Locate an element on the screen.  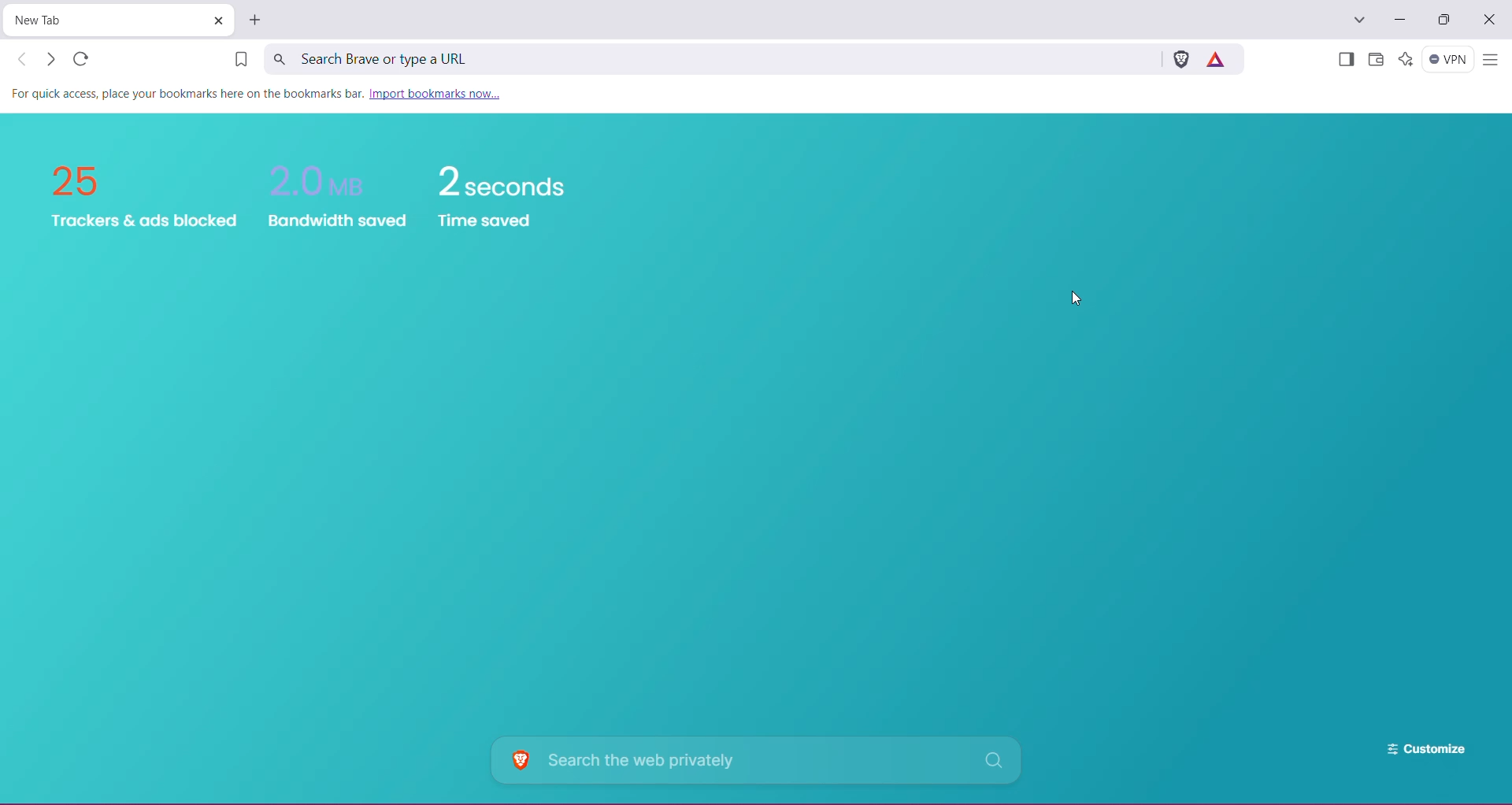
Close is located at coordinates (1491, 20).